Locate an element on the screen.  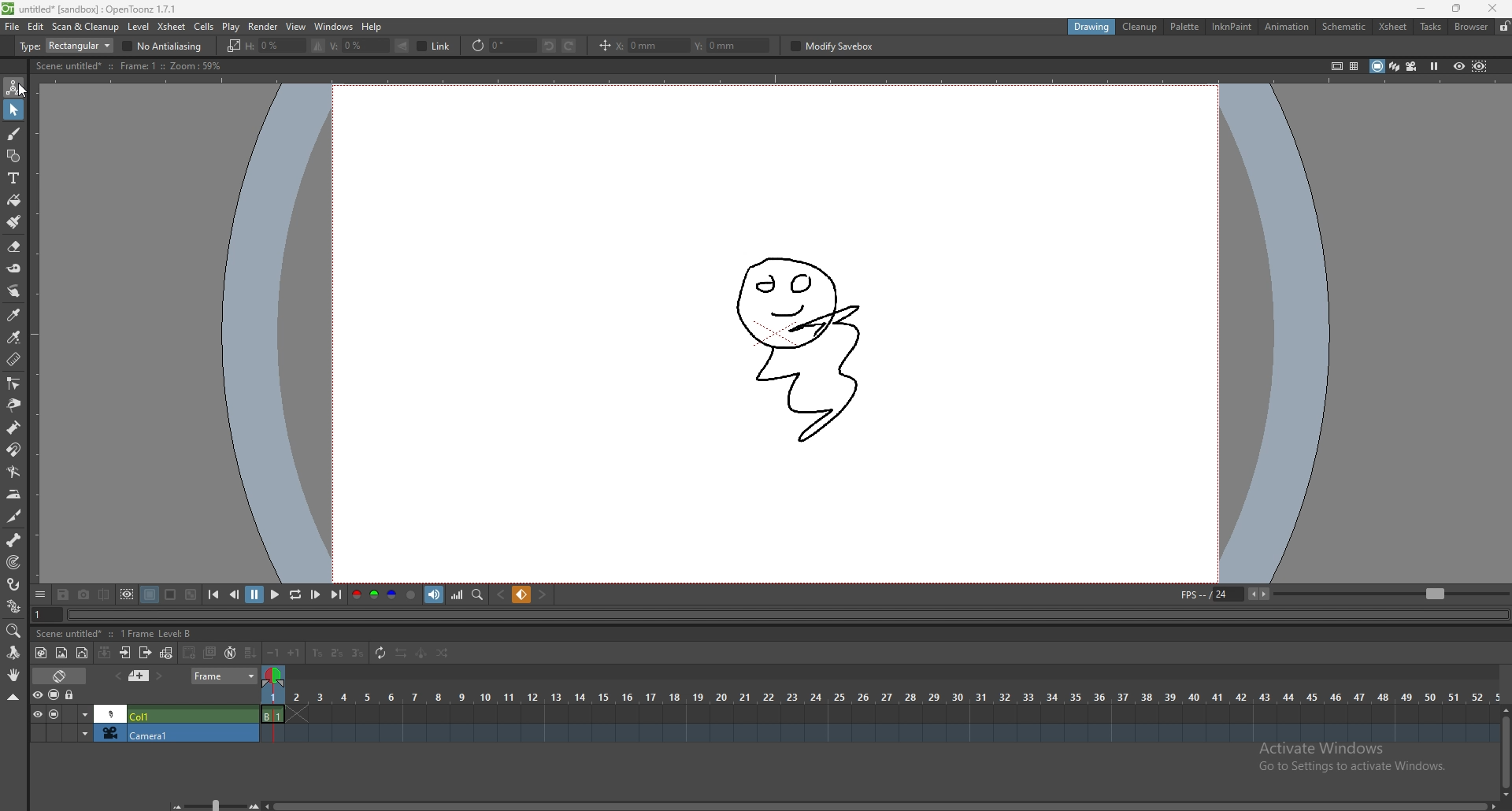
position is located at coordinates (603, 46).